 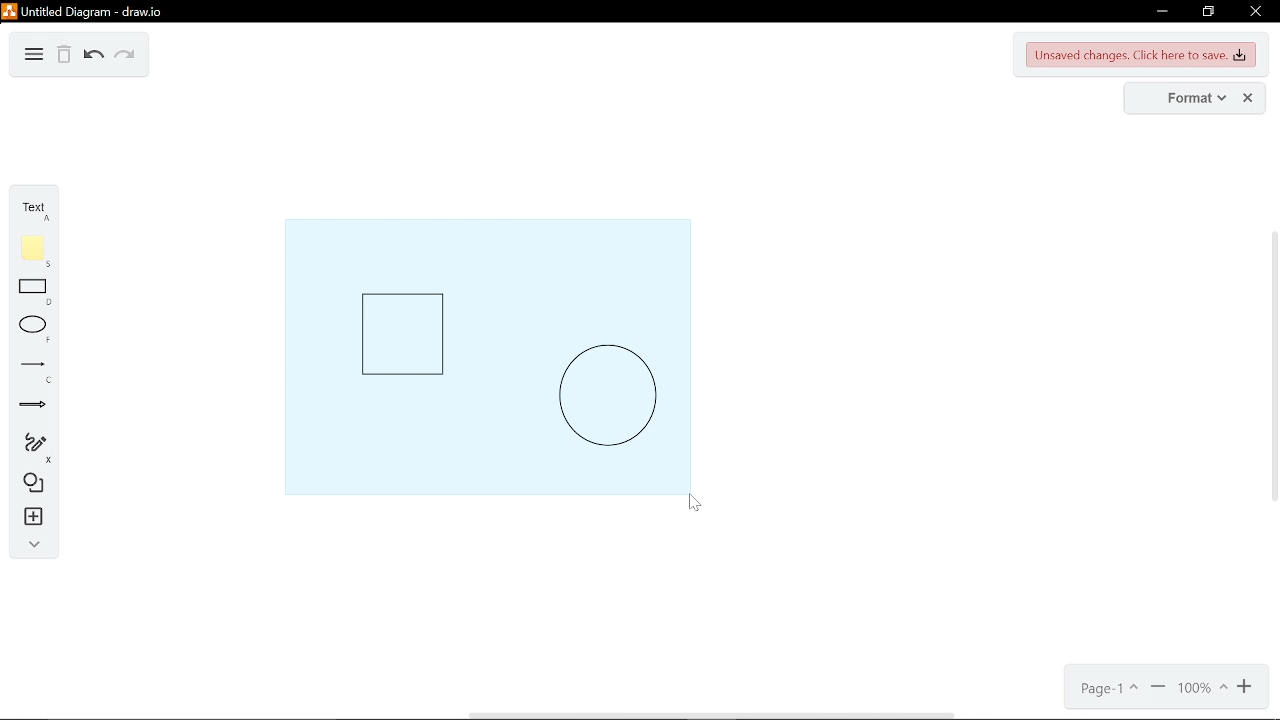 What do you see at coordinates (95, 55) in the screenshot?
I see `undo` at bounding box center [95, 55].